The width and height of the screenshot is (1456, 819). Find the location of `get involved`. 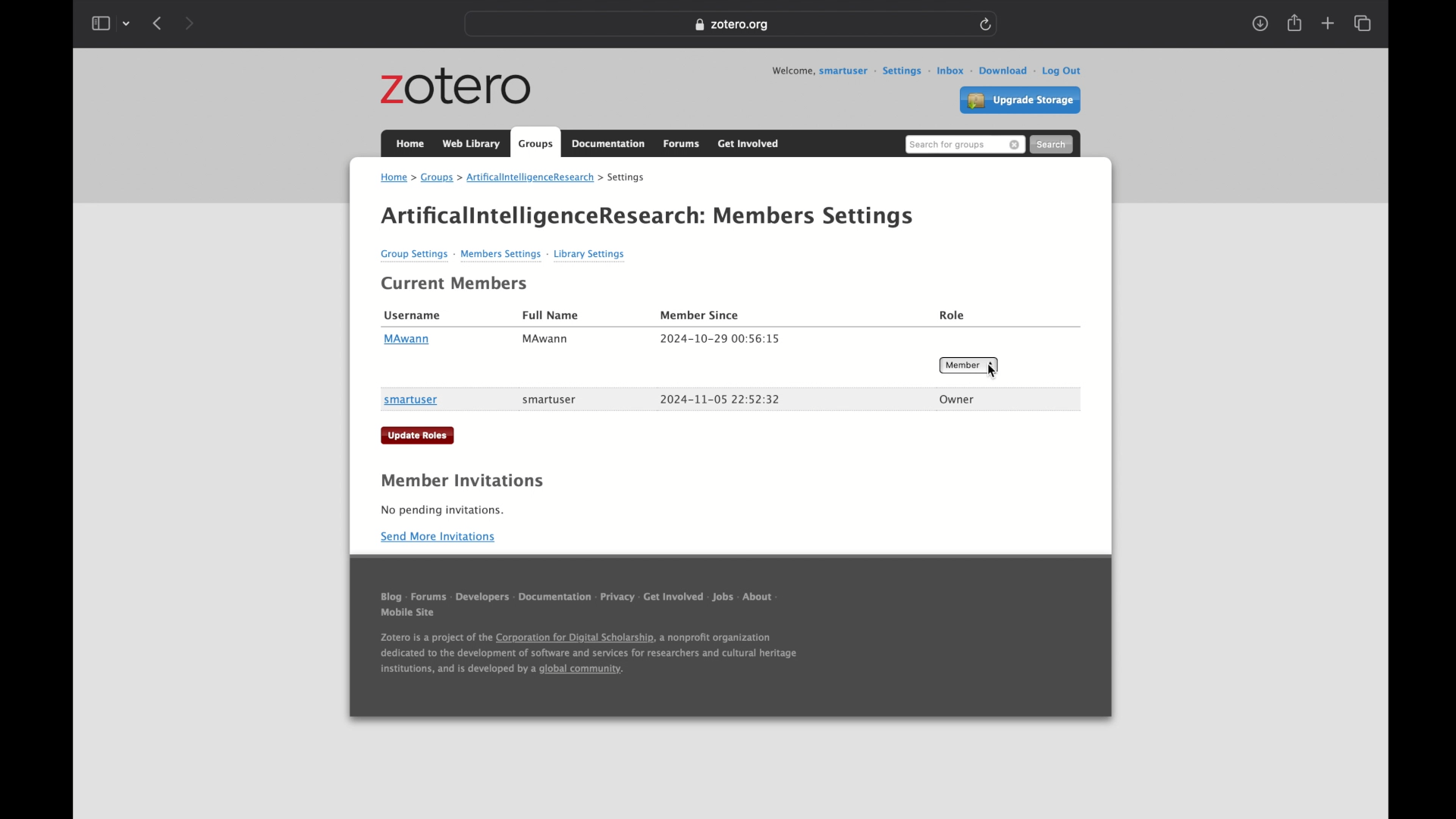

get involved is located at coordinates (673, 600).